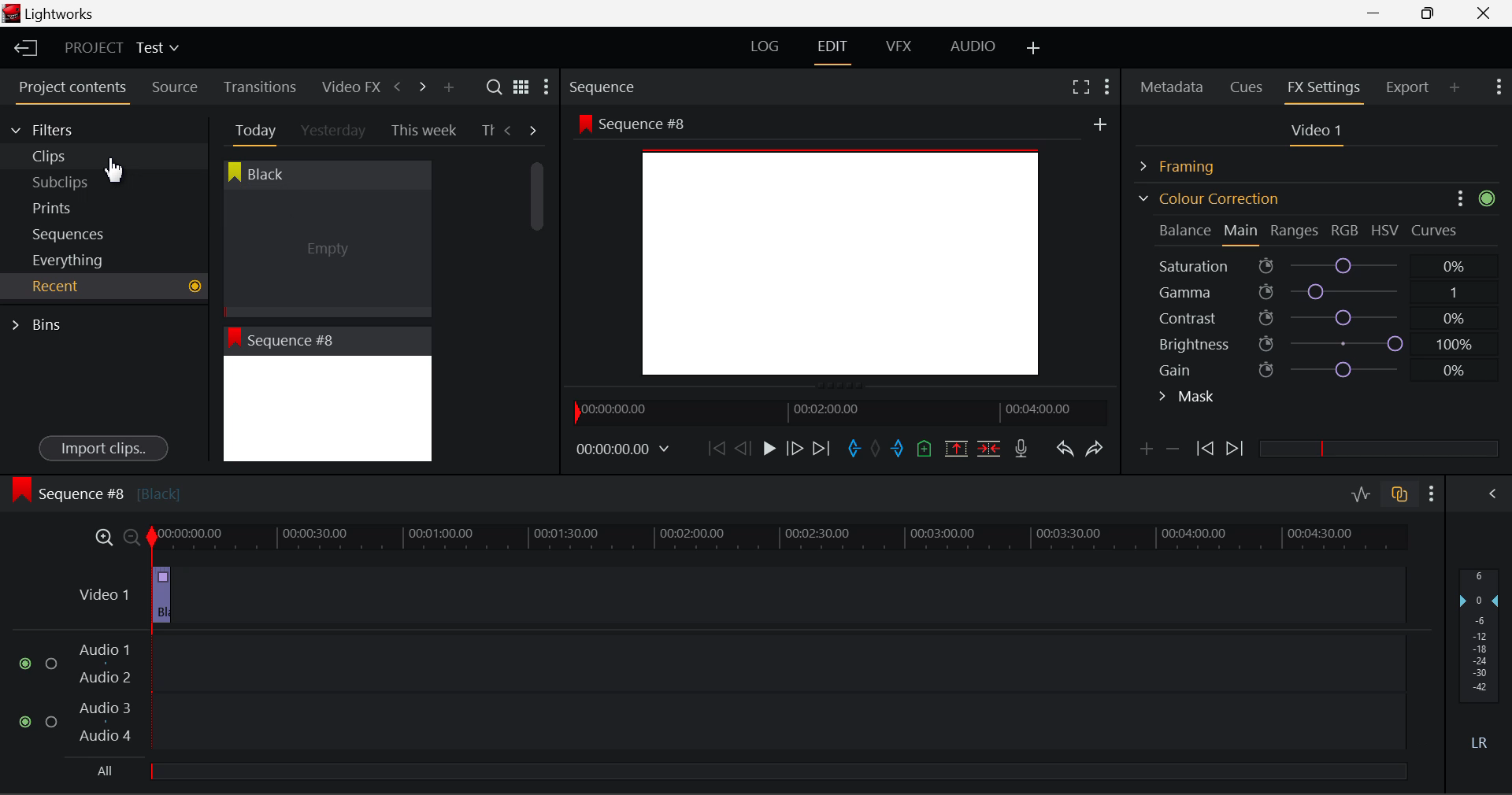  I want to click on Add Panel, so click(1455, 87).